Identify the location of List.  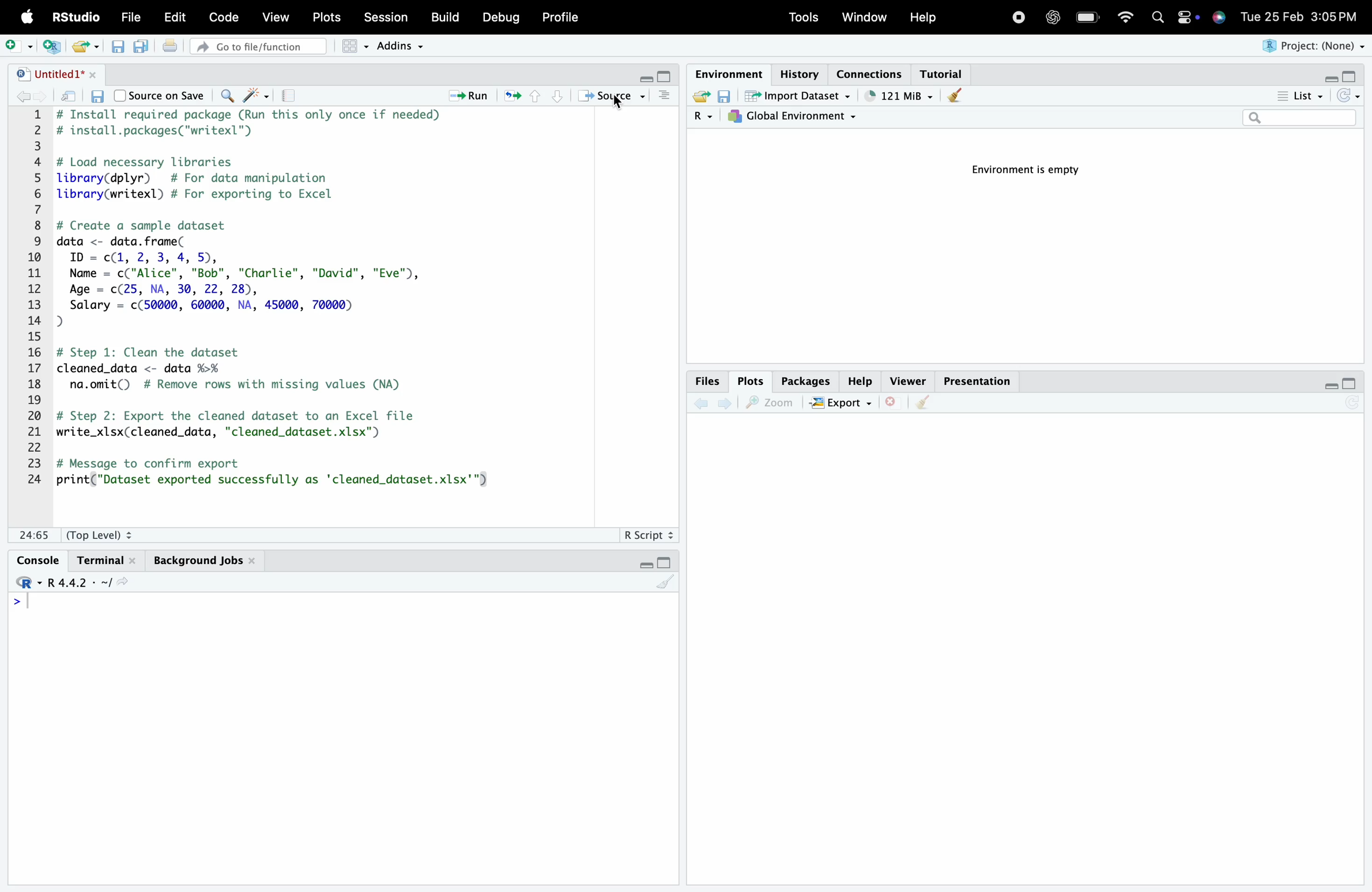
(1301, 96).